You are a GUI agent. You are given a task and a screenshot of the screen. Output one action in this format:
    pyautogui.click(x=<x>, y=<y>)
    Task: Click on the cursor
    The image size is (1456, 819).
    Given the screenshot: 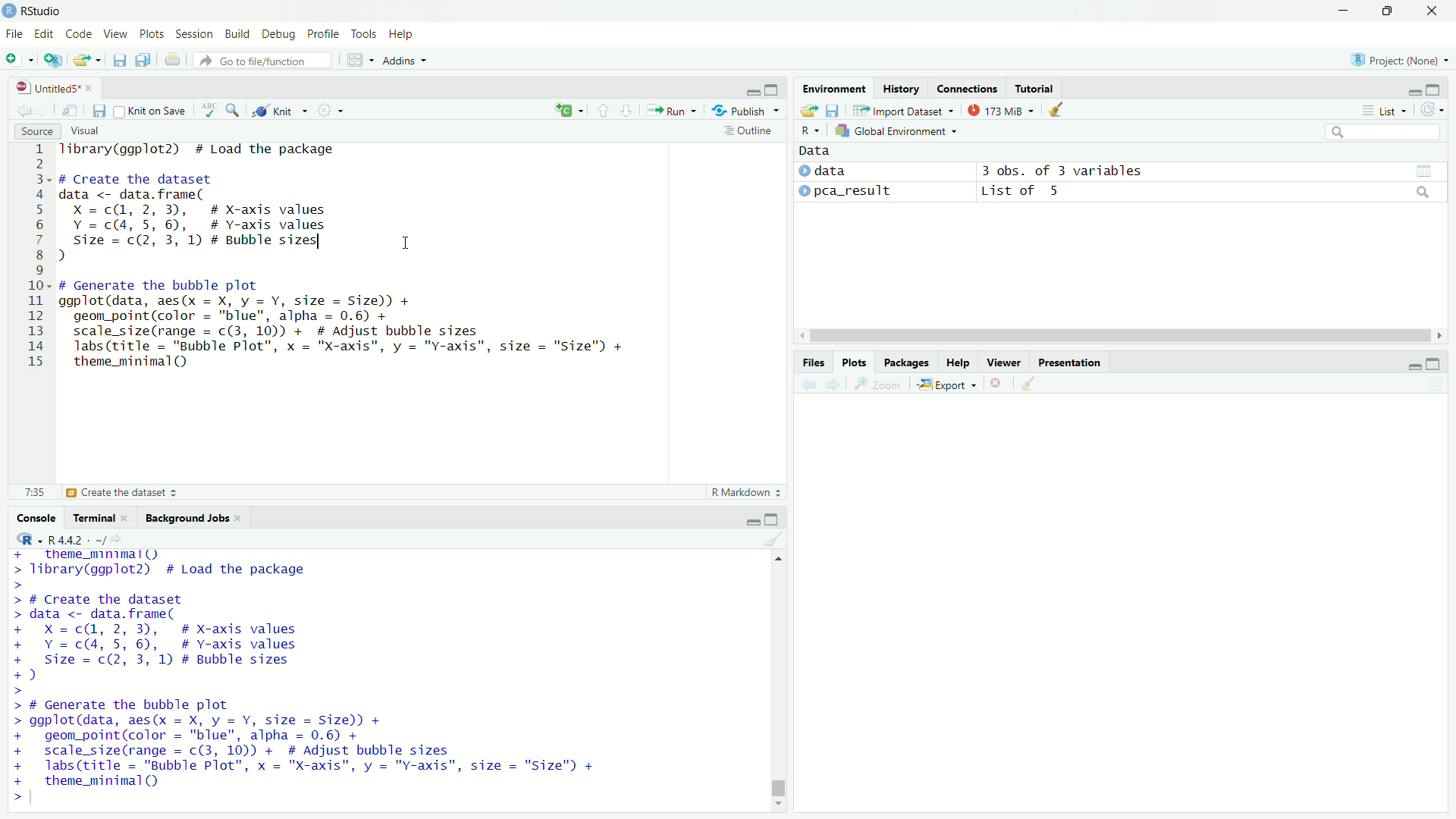 What is the action you would take?
    pyautogui.click(x=406, y=242)
    